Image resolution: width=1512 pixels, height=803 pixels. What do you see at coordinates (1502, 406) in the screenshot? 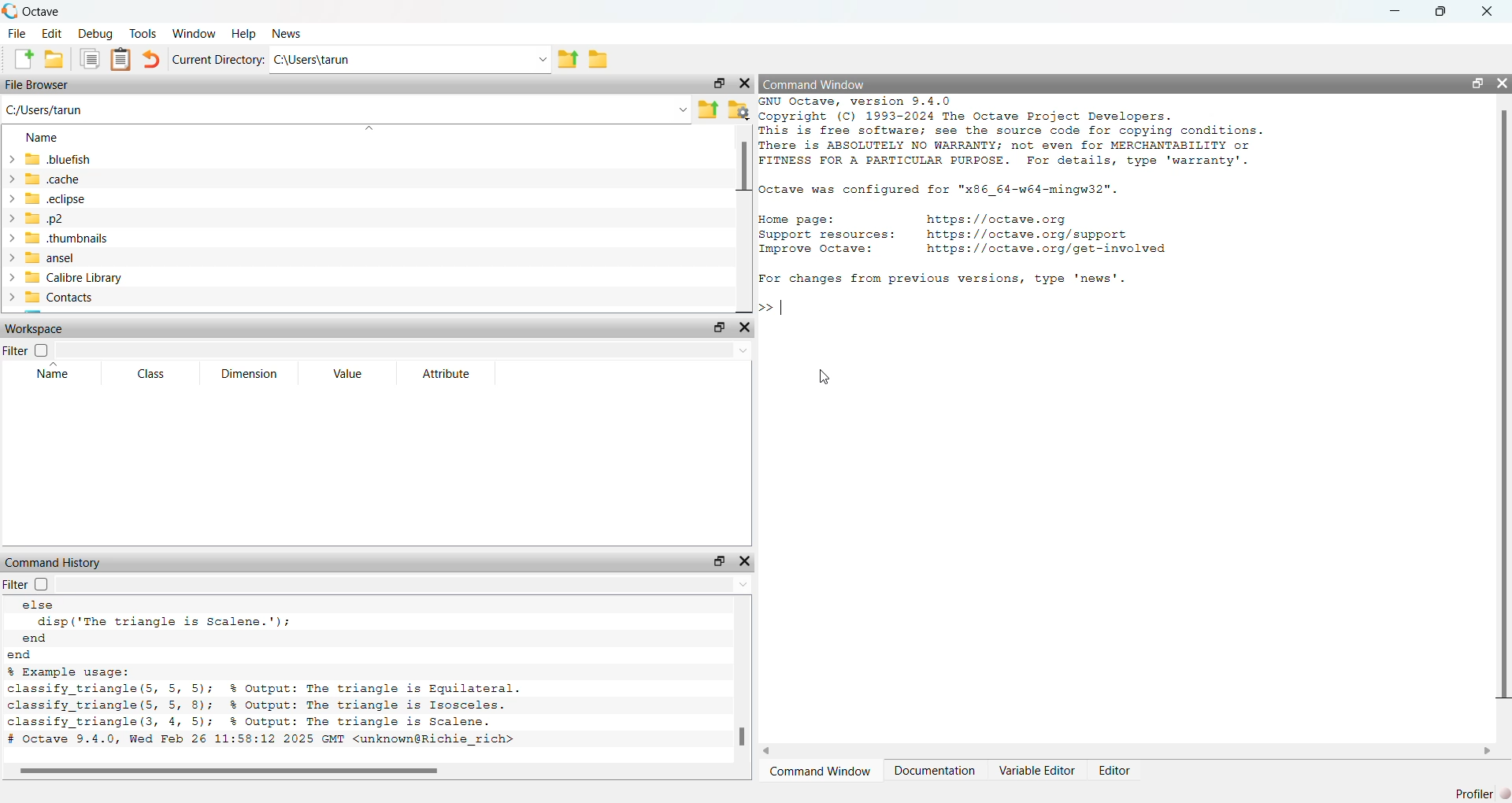
I see `scrollbar` at bounding box center [1502, 406].